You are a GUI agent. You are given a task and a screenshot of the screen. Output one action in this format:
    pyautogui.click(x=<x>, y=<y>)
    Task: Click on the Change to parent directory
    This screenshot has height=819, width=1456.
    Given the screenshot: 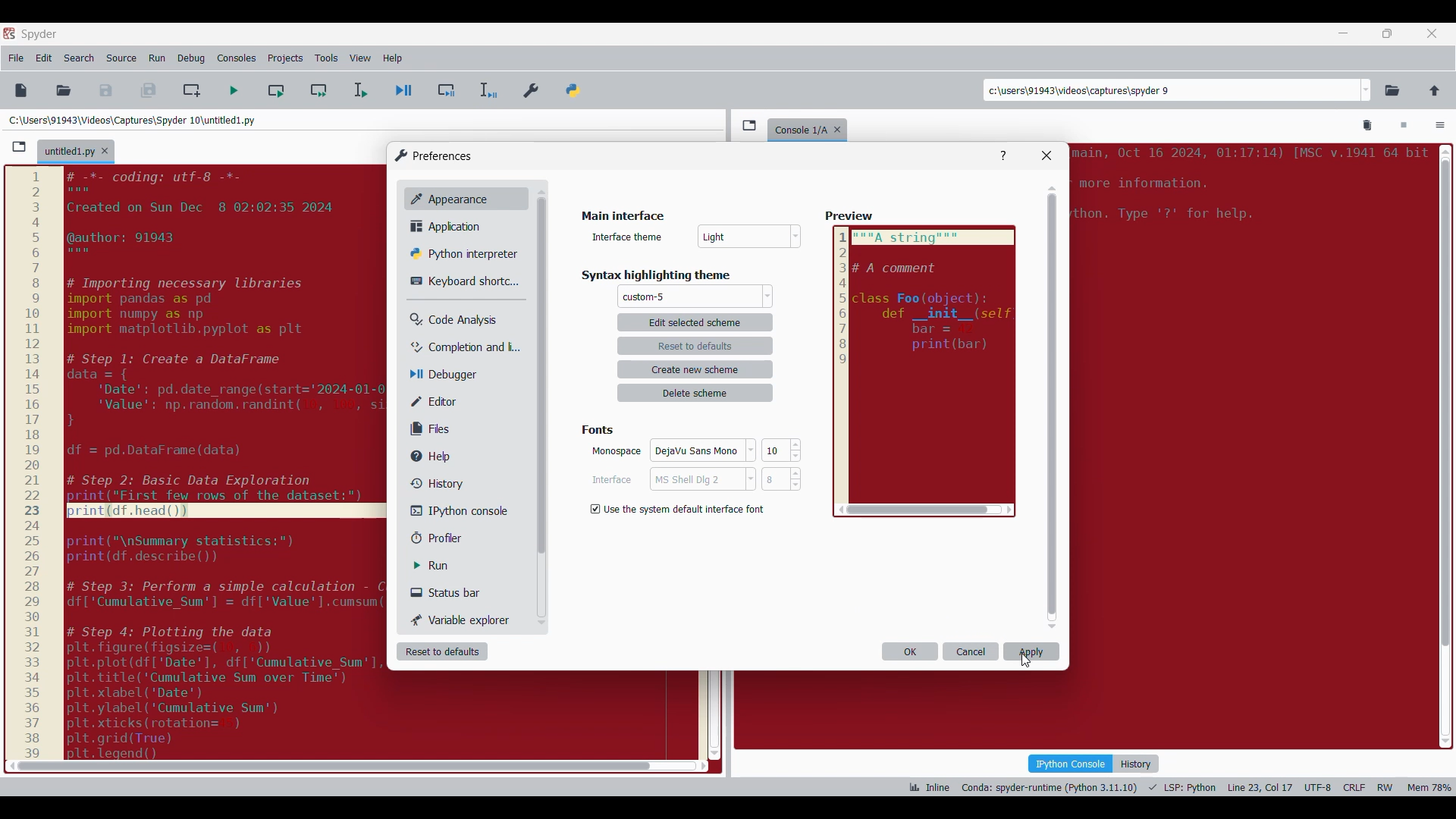 What is the action you would take?
    pyautogui.click(x=1435, y=90)
    